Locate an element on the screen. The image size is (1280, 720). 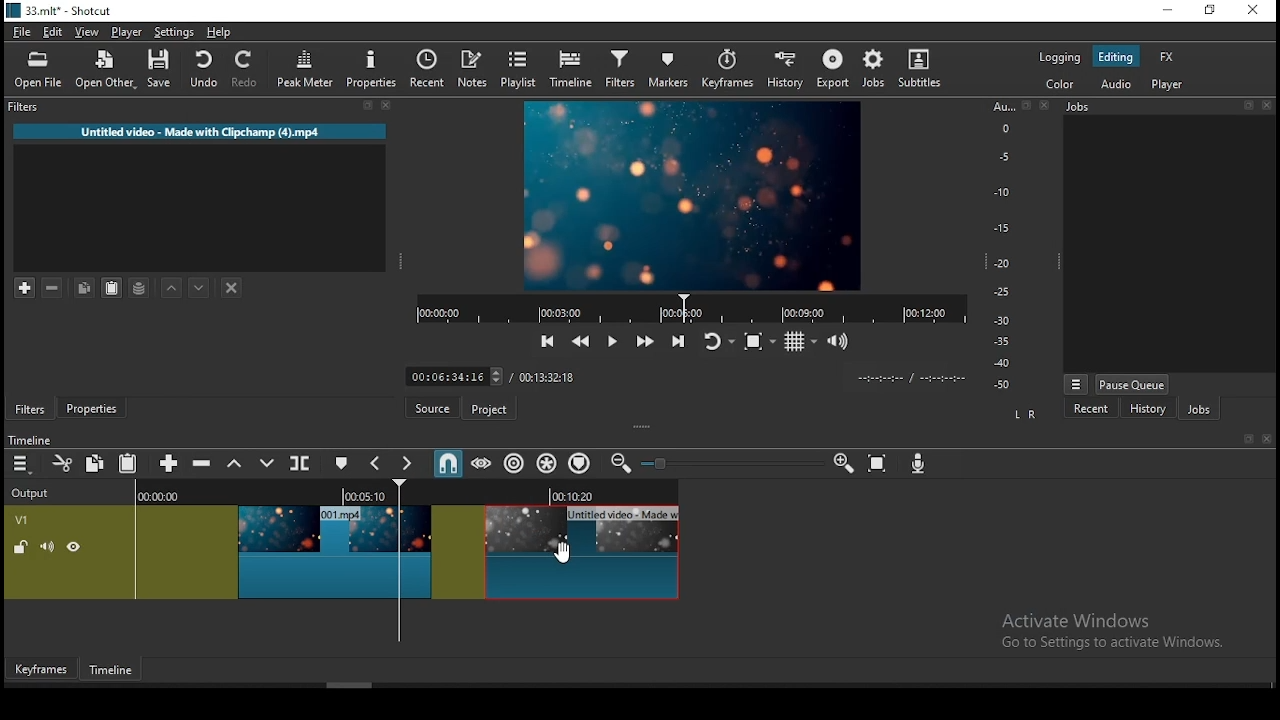
help is located at coordinates (216, 32).